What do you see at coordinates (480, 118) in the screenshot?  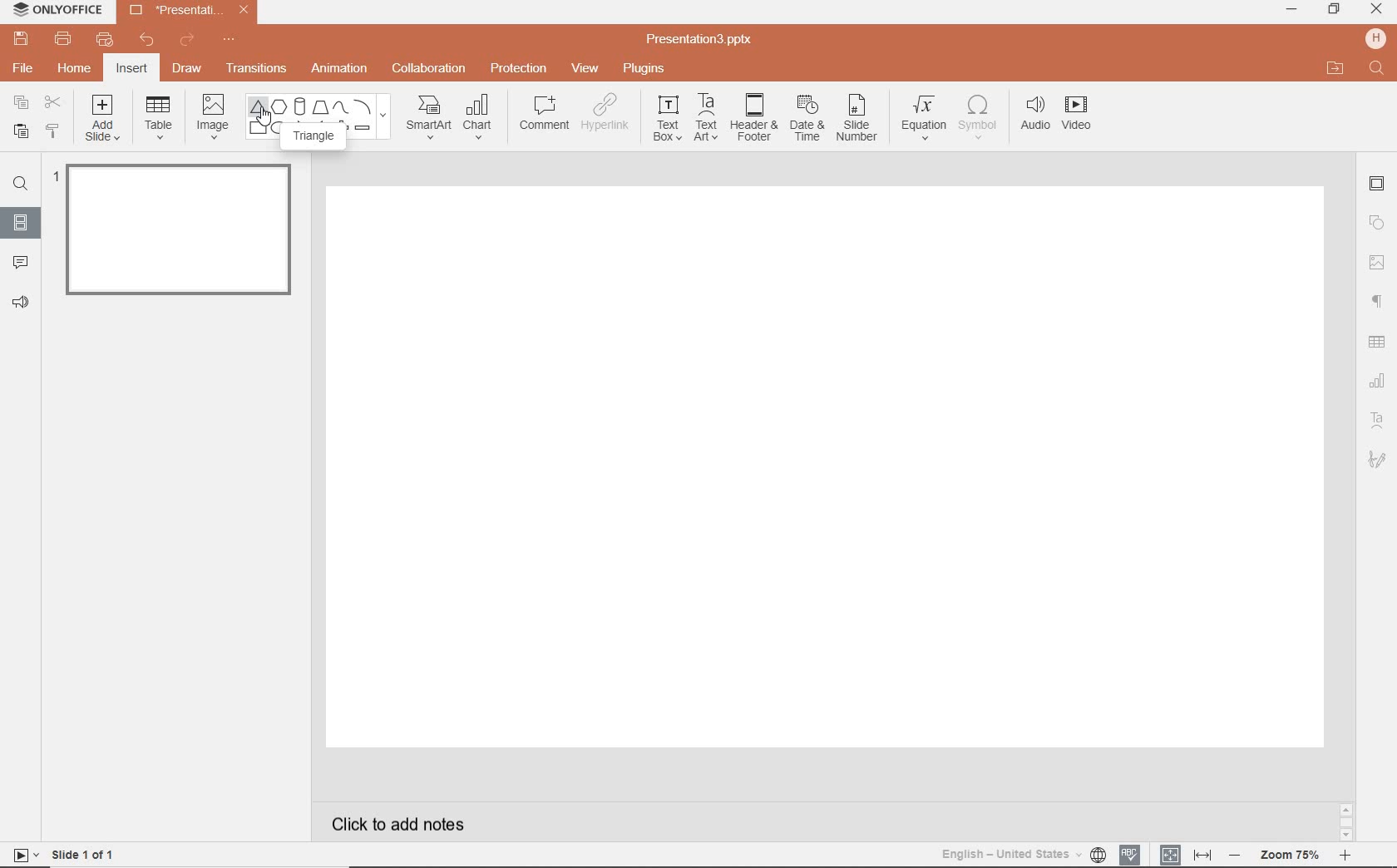 I see `CHART` at bounding box center [480, 118].